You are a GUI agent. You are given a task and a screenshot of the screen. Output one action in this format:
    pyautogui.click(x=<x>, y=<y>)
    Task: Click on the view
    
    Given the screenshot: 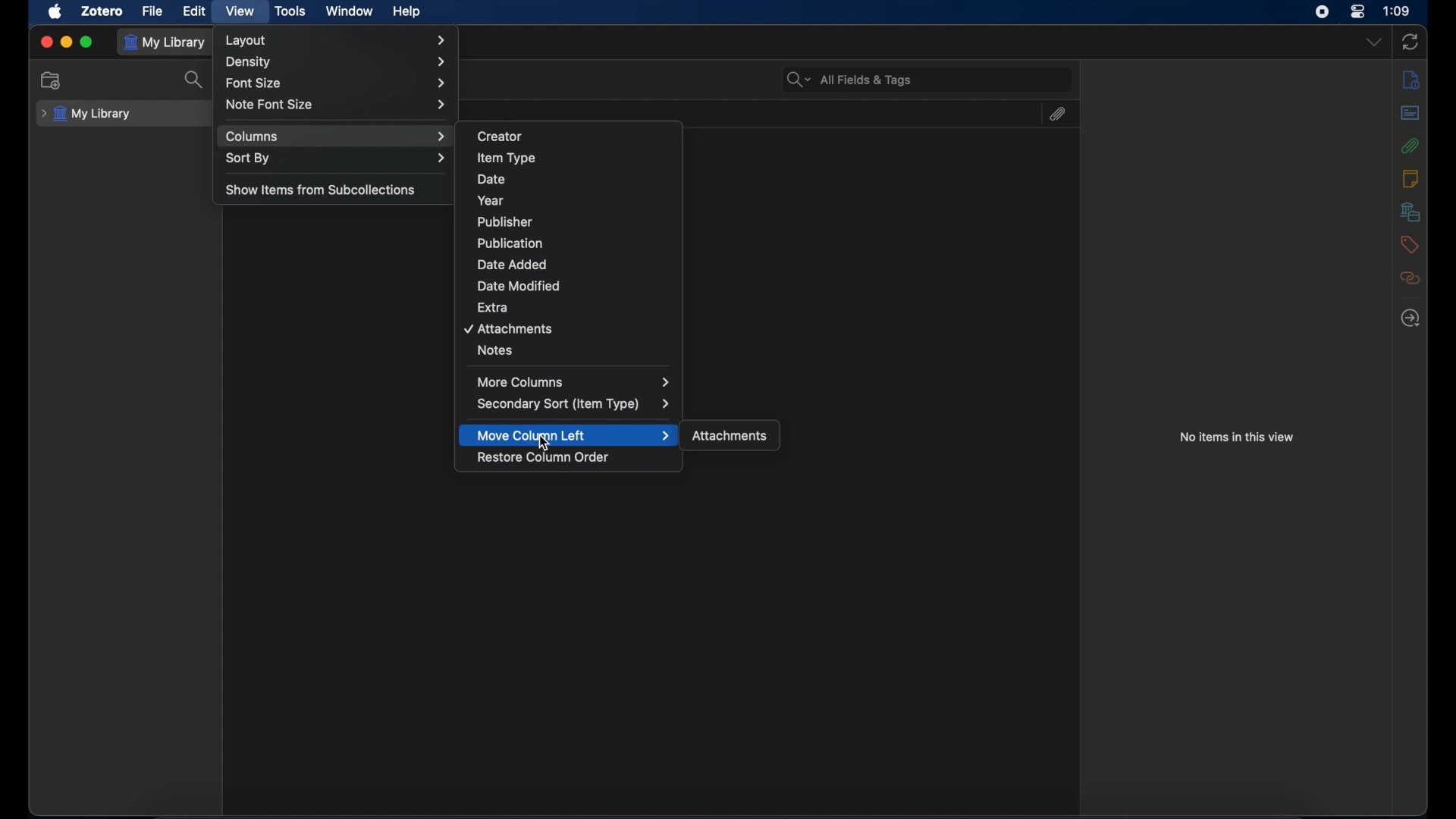 What is the action you would take?
    pyautogui.click(x=238, y=11)
    